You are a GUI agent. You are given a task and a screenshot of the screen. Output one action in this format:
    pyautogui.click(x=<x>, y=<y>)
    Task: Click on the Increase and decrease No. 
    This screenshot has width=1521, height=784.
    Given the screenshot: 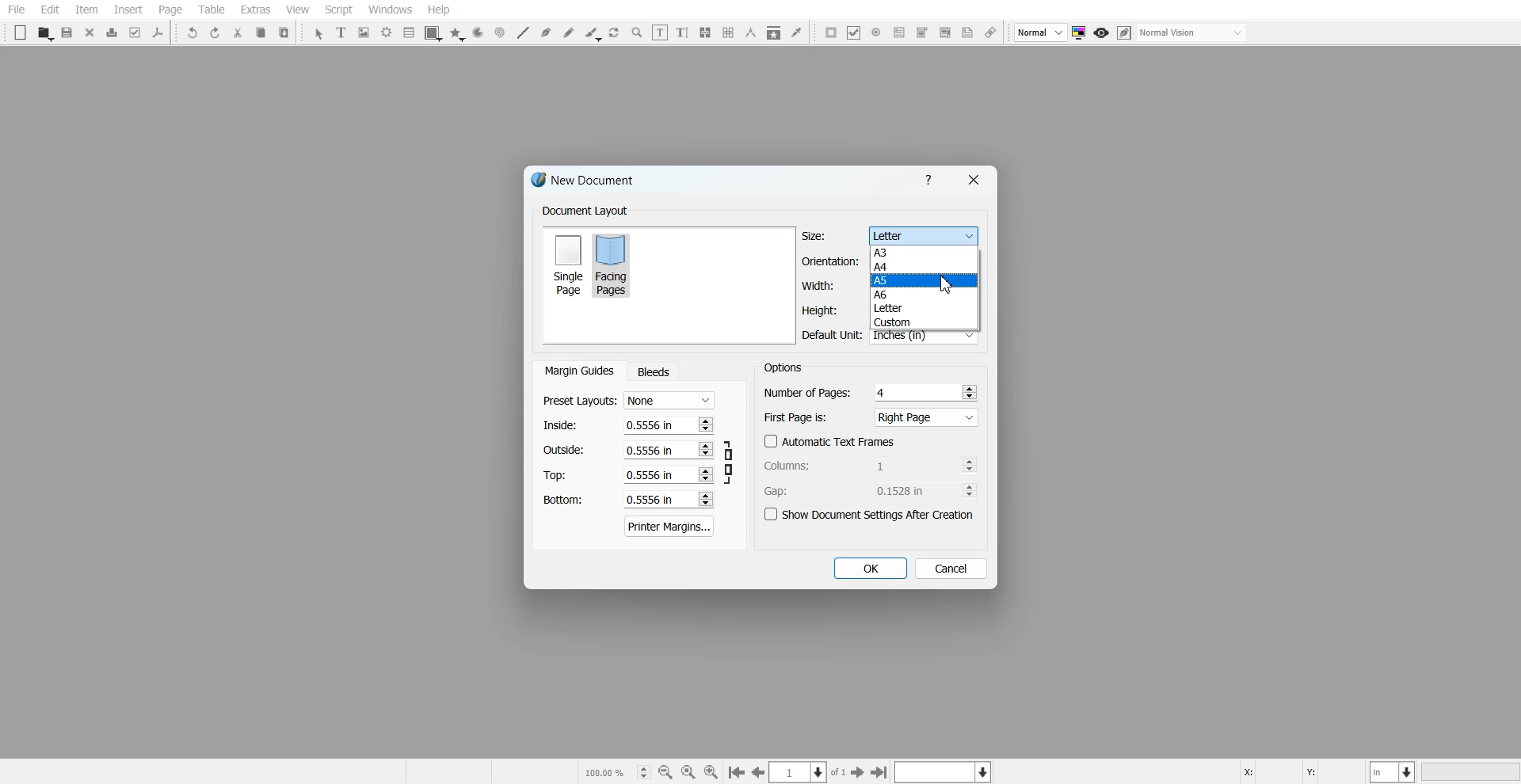 What is the action you would take?
    pyautogui.click(x=705, y=475)
    